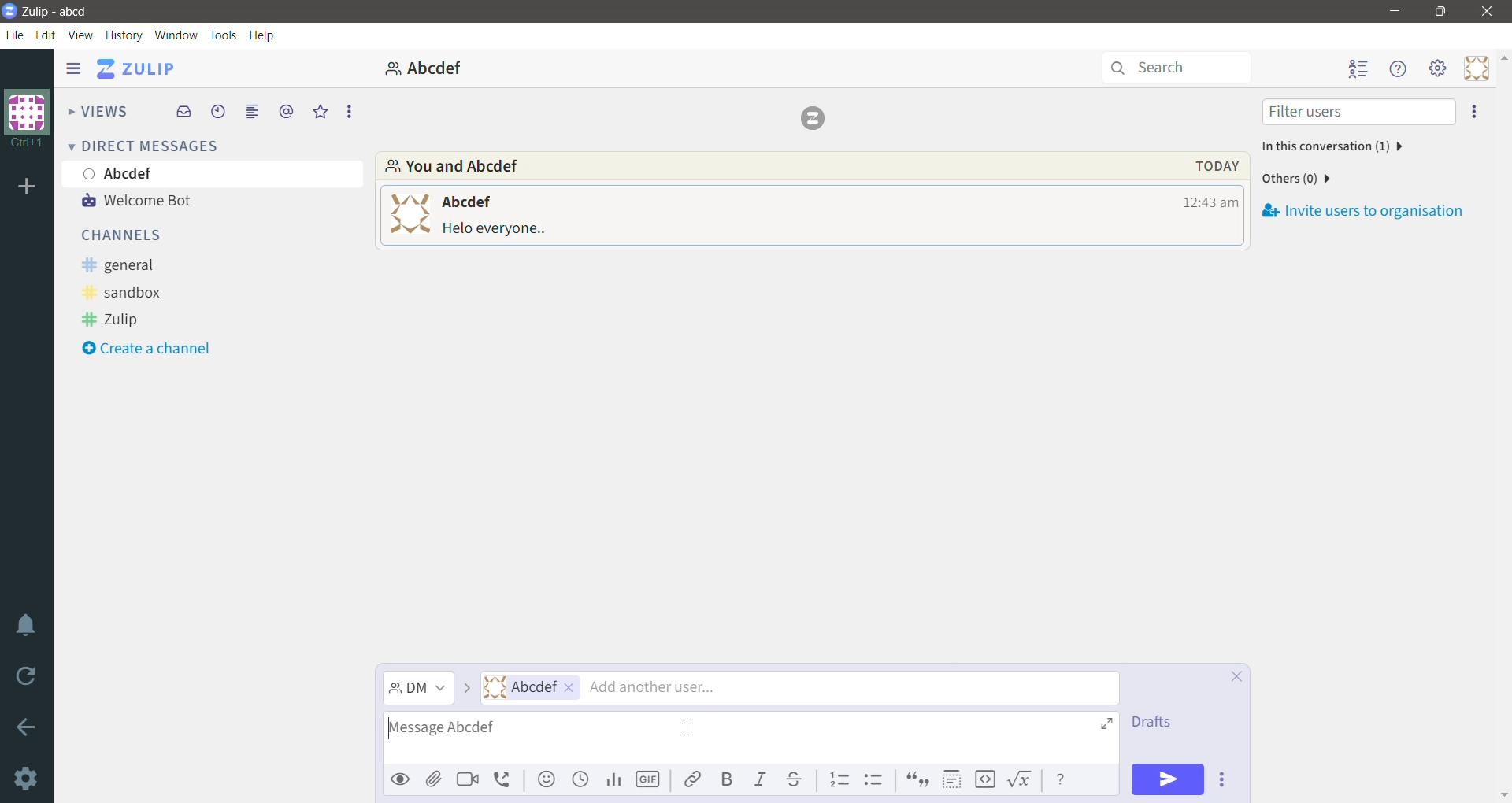  Describe the element at coordinates (918, 779) in the screenshot. I see `Quote` at that location.